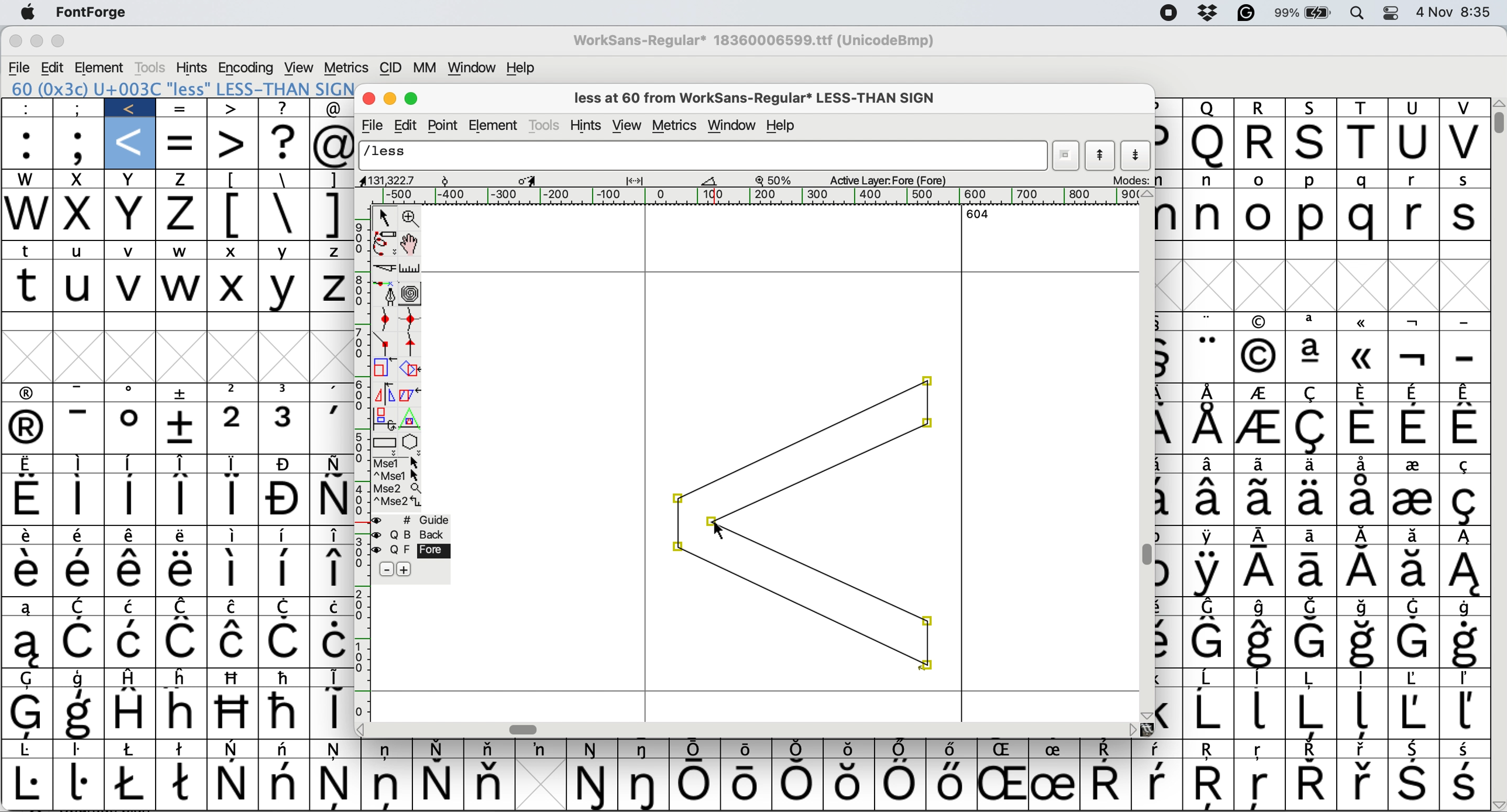  Describe the element at coordinates (1310, 537) in the screenshot. I see `Symbol` at that location.